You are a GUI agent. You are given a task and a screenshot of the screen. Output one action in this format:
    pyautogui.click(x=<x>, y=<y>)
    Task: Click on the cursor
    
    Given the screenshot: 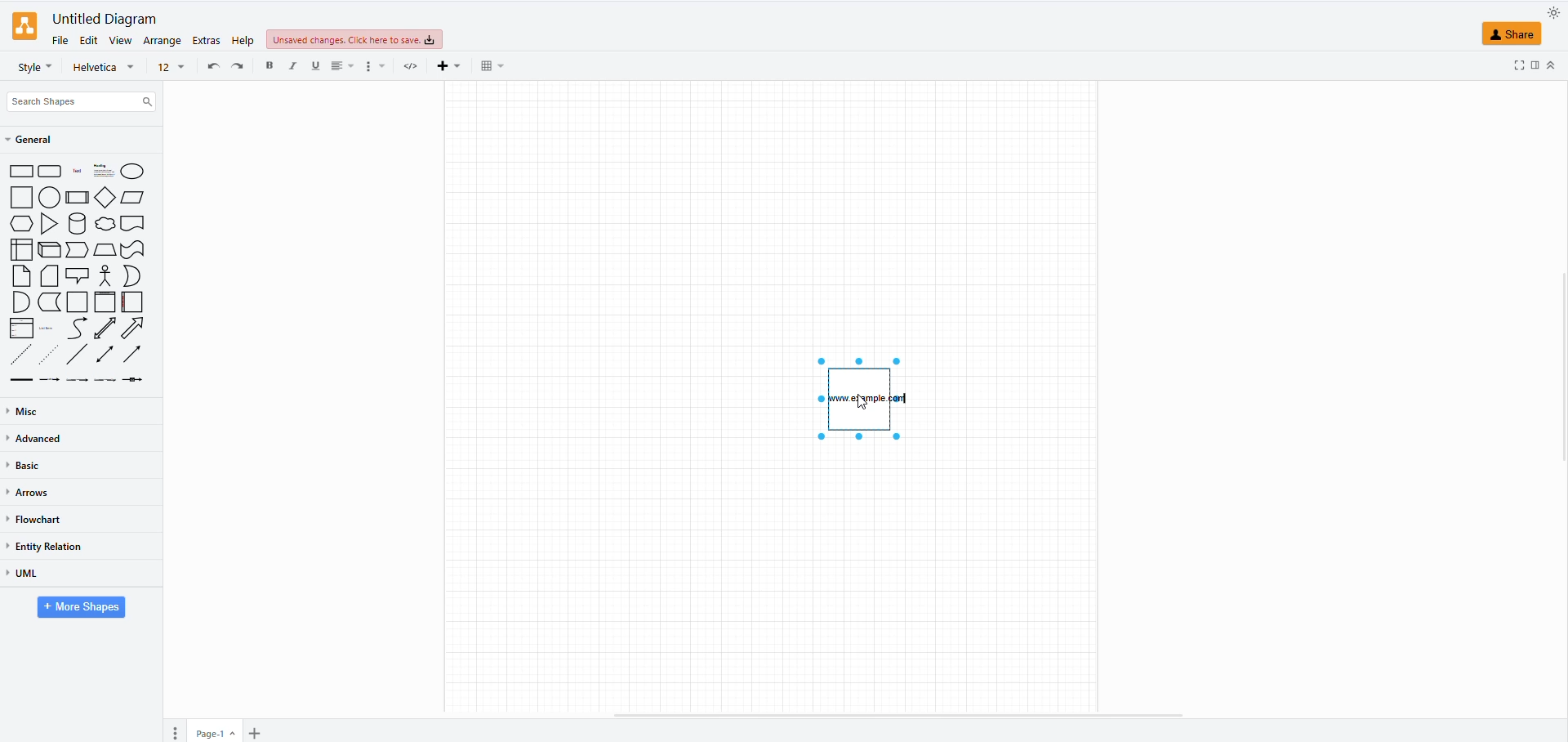 What is the action you would take?
    pyautogui.click(x=866, y=405)
    